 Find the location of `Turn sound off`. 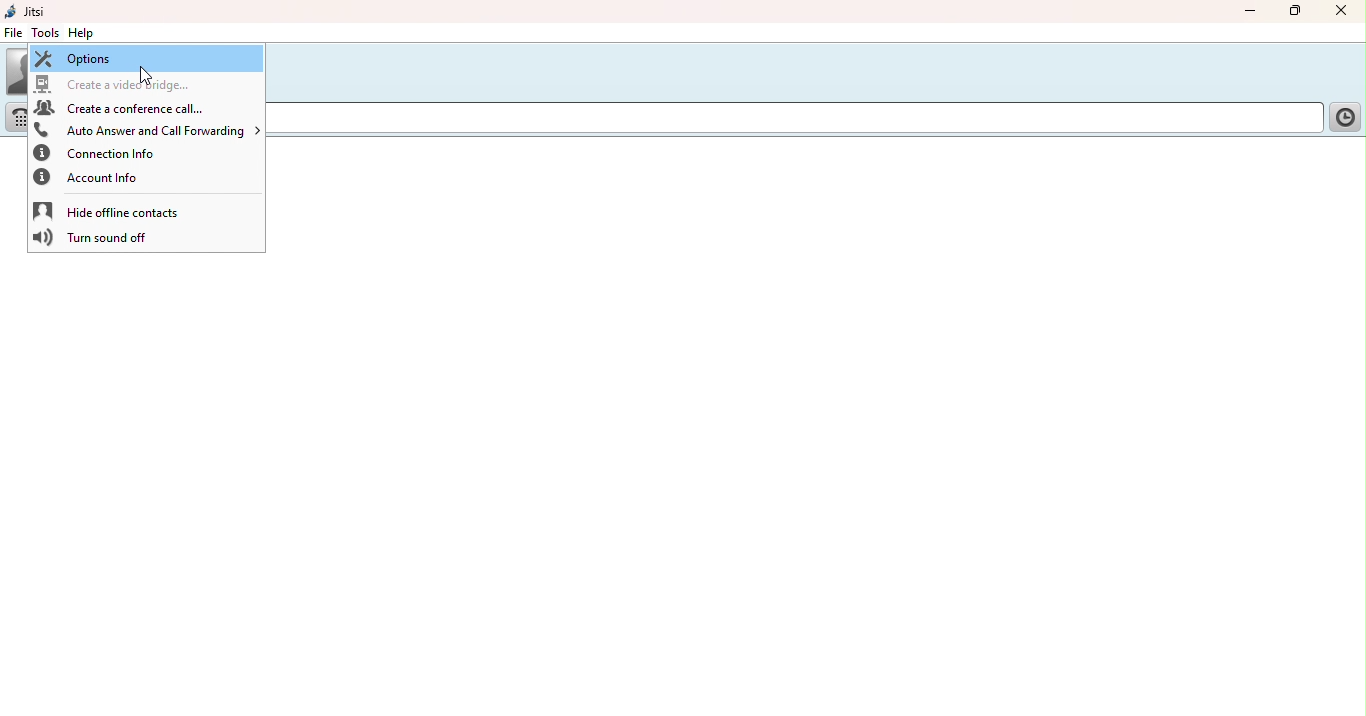

Turn sound off is located at coordinates (95, 240).